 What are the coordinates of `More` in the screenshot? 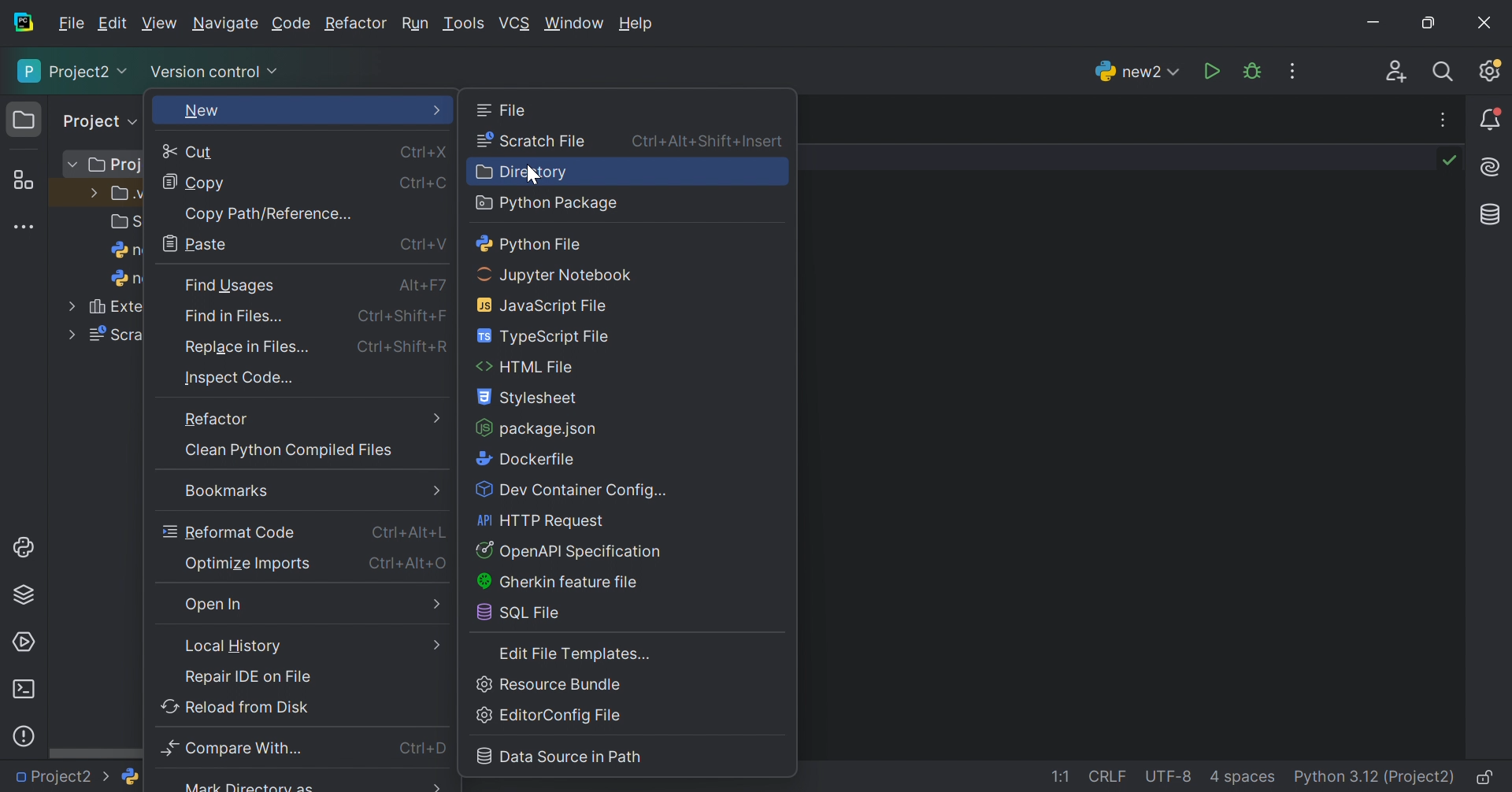 It's located at (72, 337).